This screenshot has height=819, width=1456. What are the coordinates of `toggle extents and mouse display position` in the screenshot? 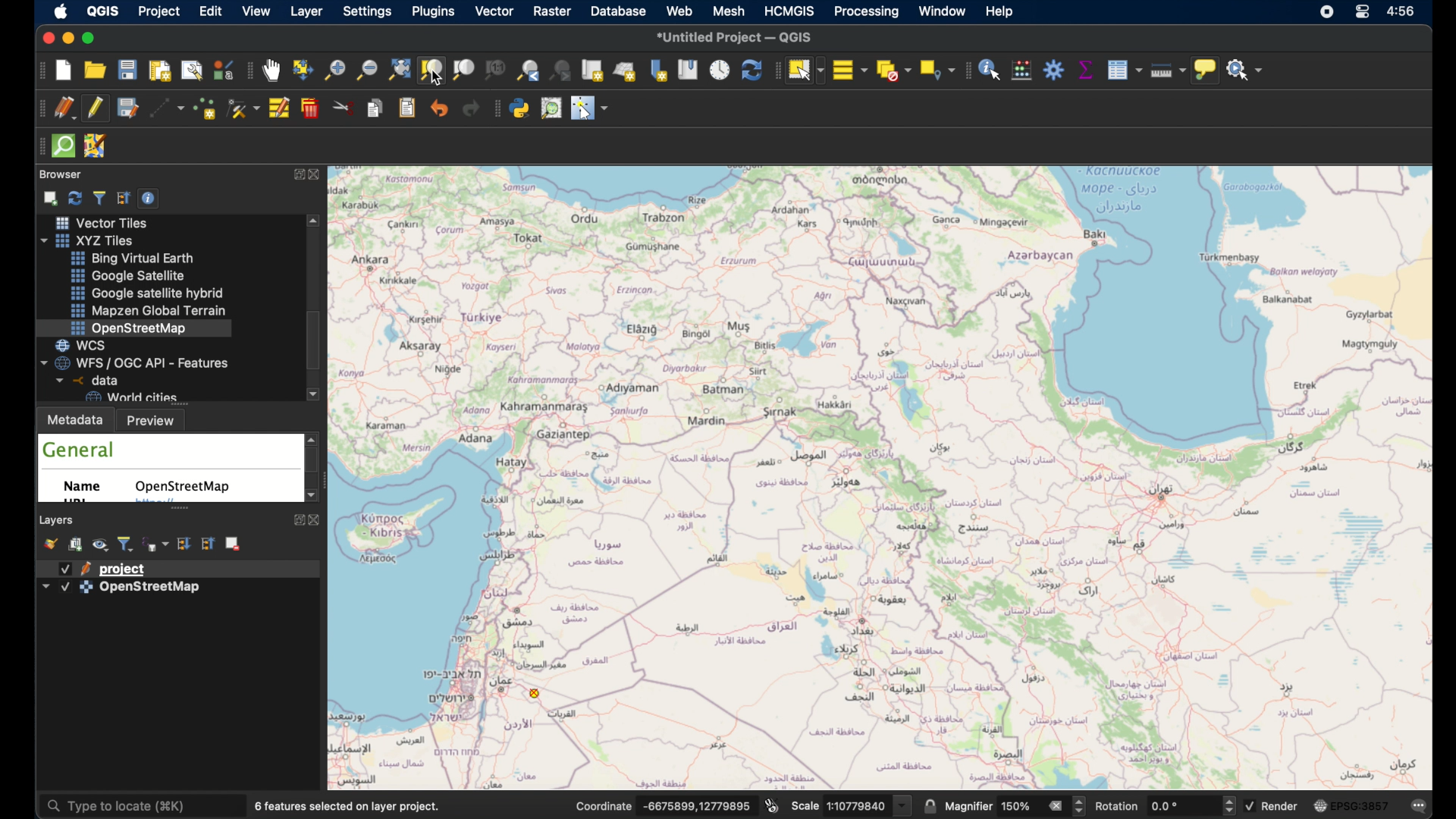 It's located at (773, 804).